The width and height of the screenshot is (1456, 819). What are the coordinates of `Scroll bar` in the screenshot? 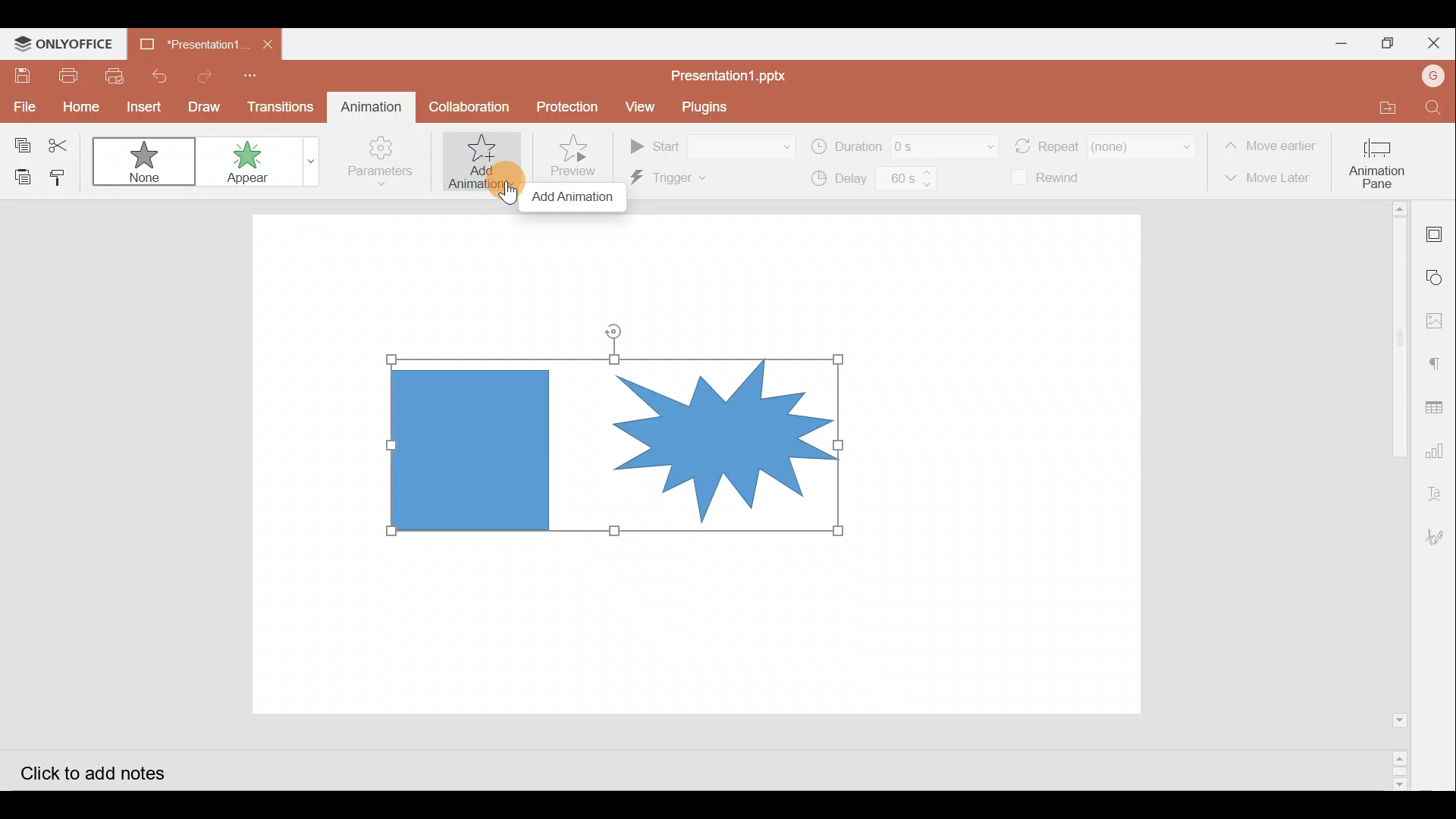 It's located at (1393, 495).